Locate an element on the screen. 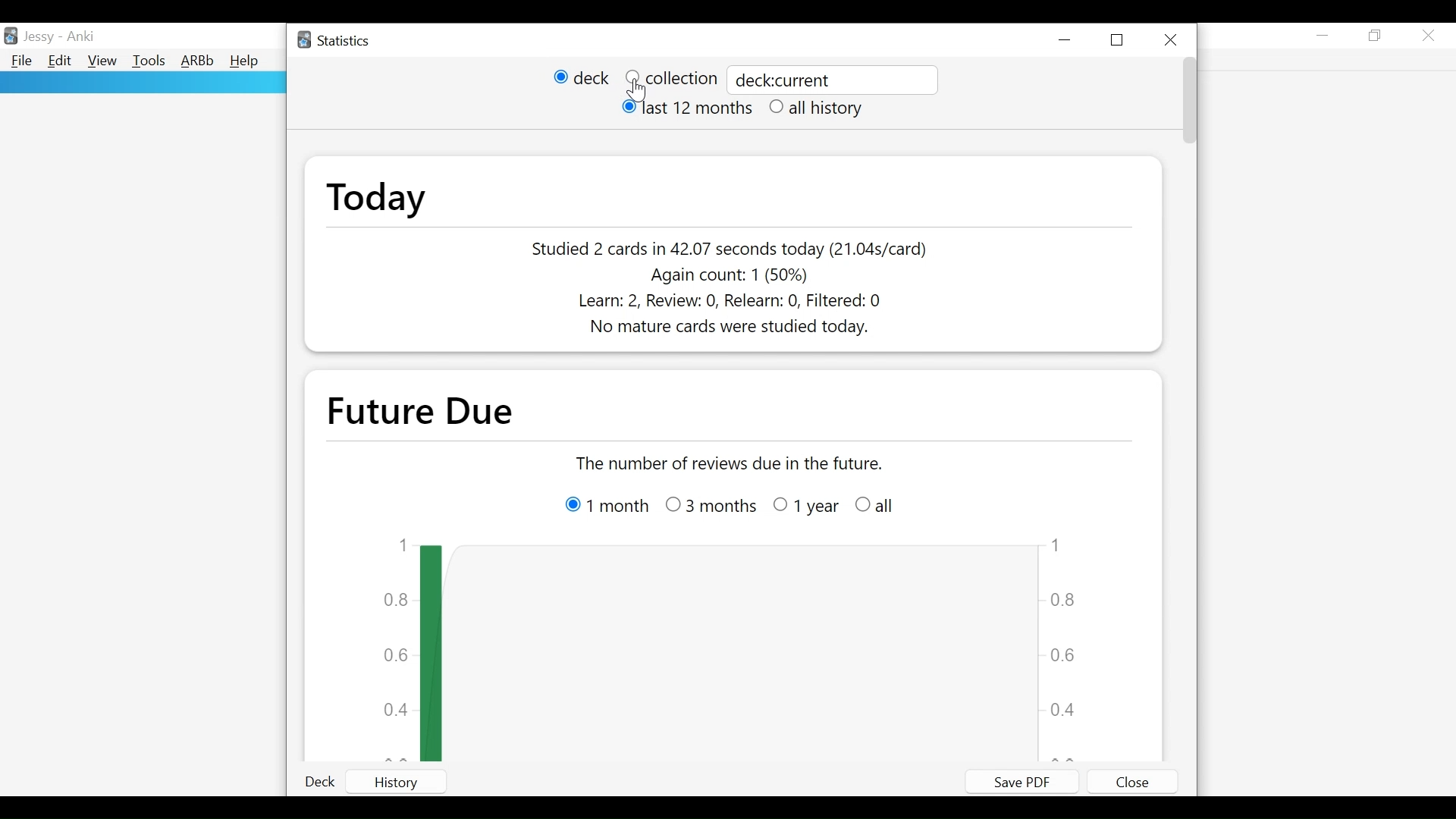 This screenshot has width=1456, height=819. minimize is located at coordinates (1323, 35).